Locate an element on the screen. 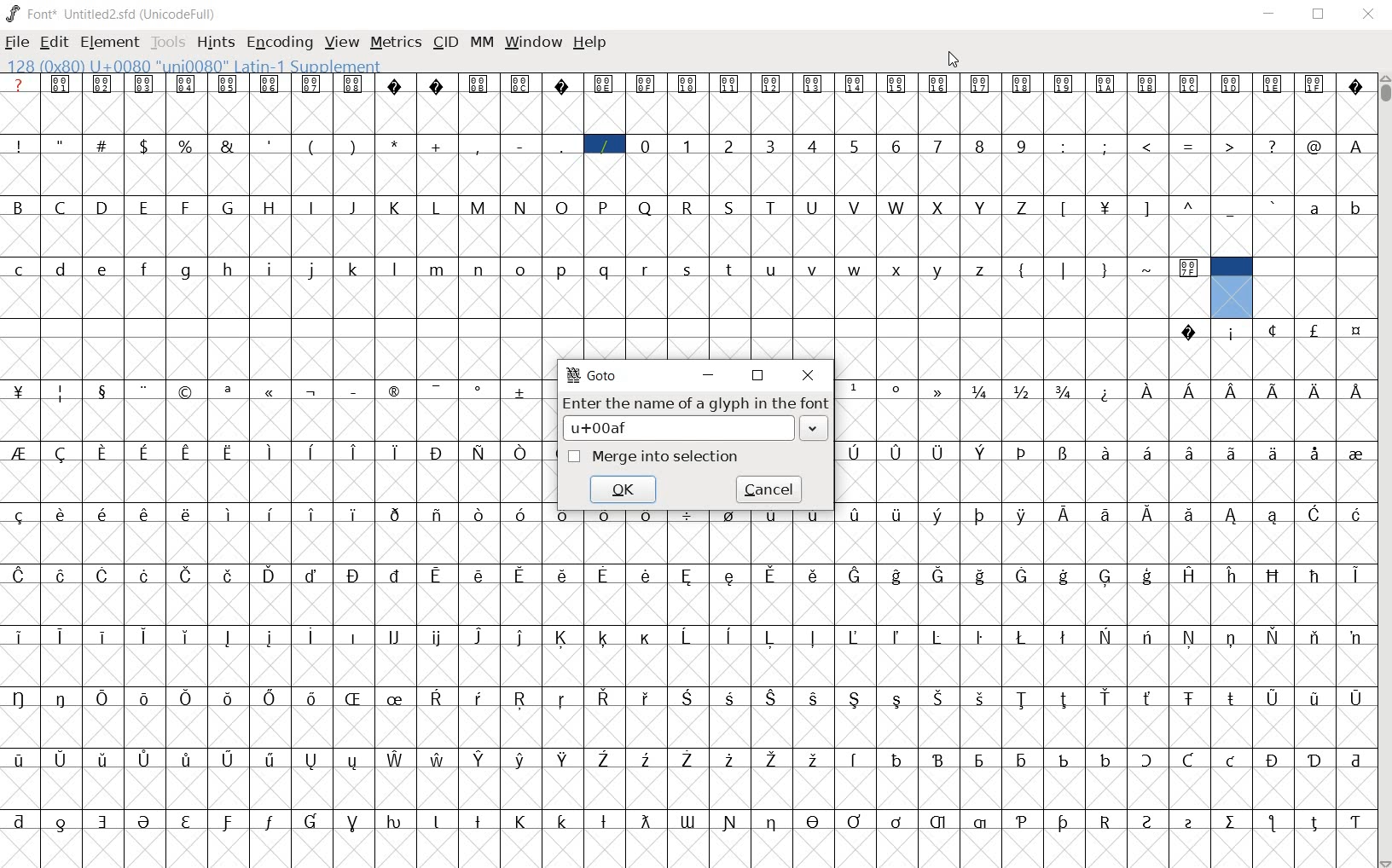 This screenshot has width=1392, height=868. Symbol is located at coordinates (1231, 513).